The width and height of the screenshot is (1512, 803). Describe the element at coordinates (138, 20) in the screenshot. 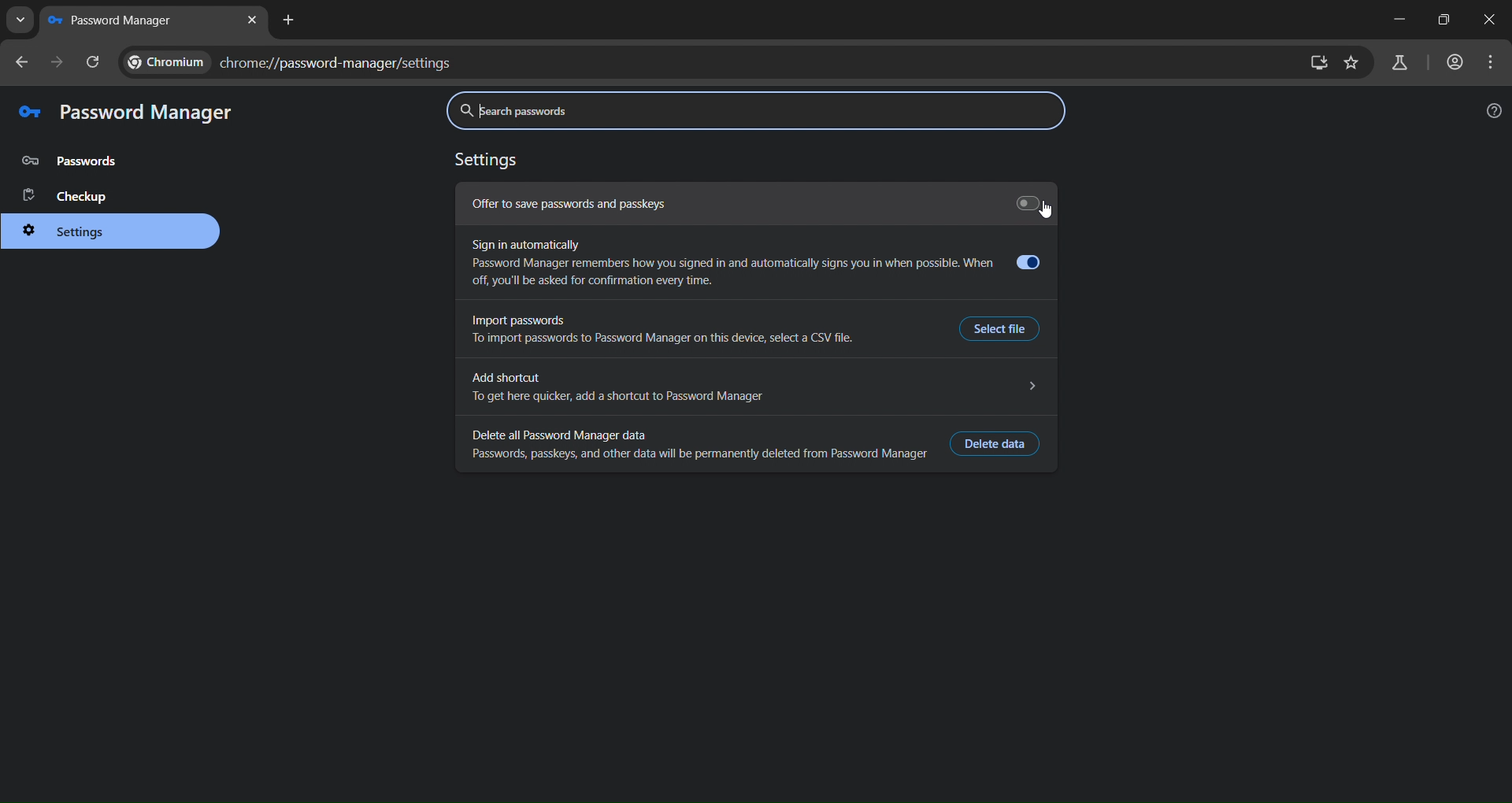

I see `new tab` at that location.